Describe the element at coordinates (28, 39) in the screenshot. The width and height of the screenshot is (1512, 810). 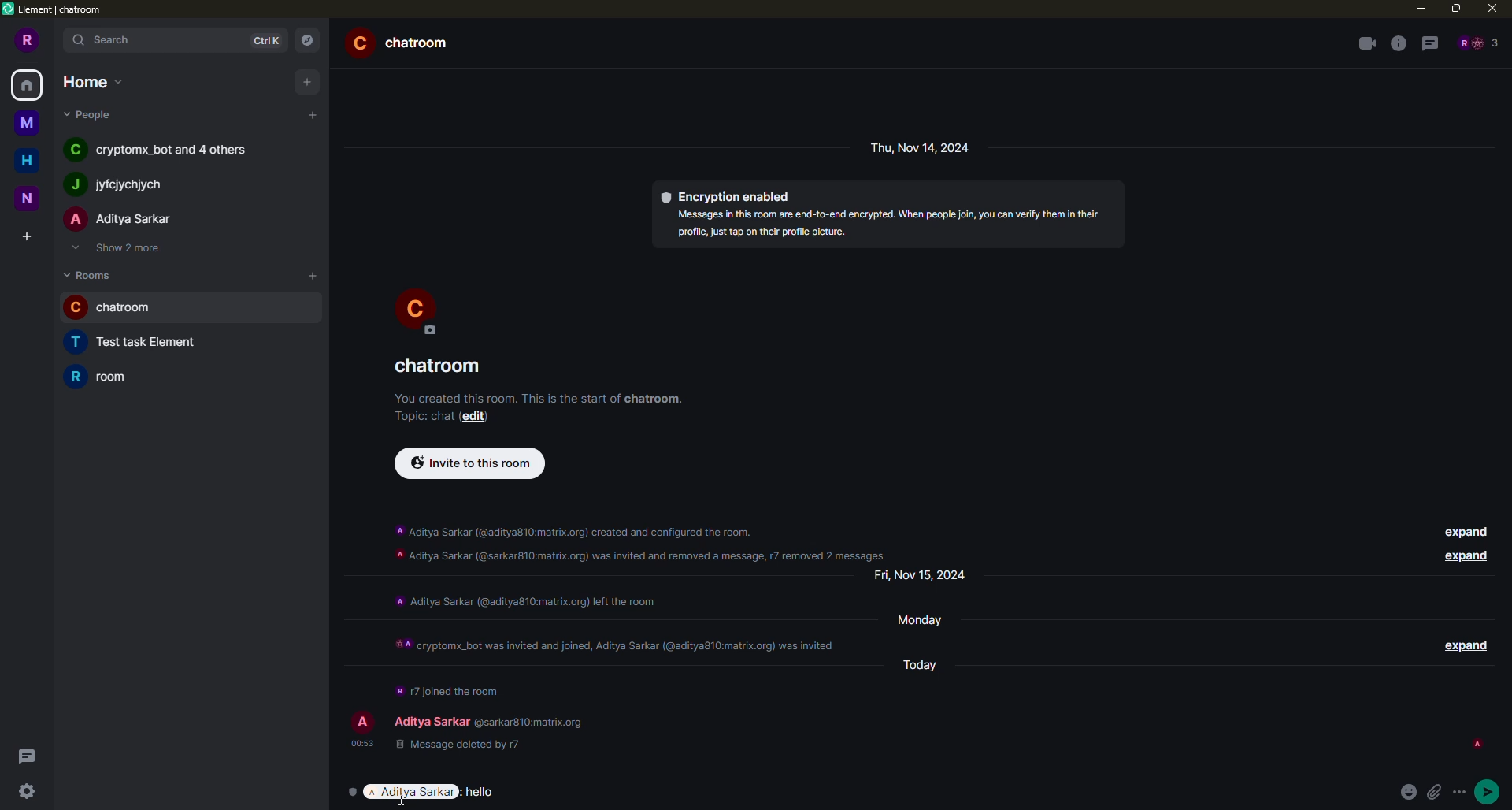
I see `profile` at that location.